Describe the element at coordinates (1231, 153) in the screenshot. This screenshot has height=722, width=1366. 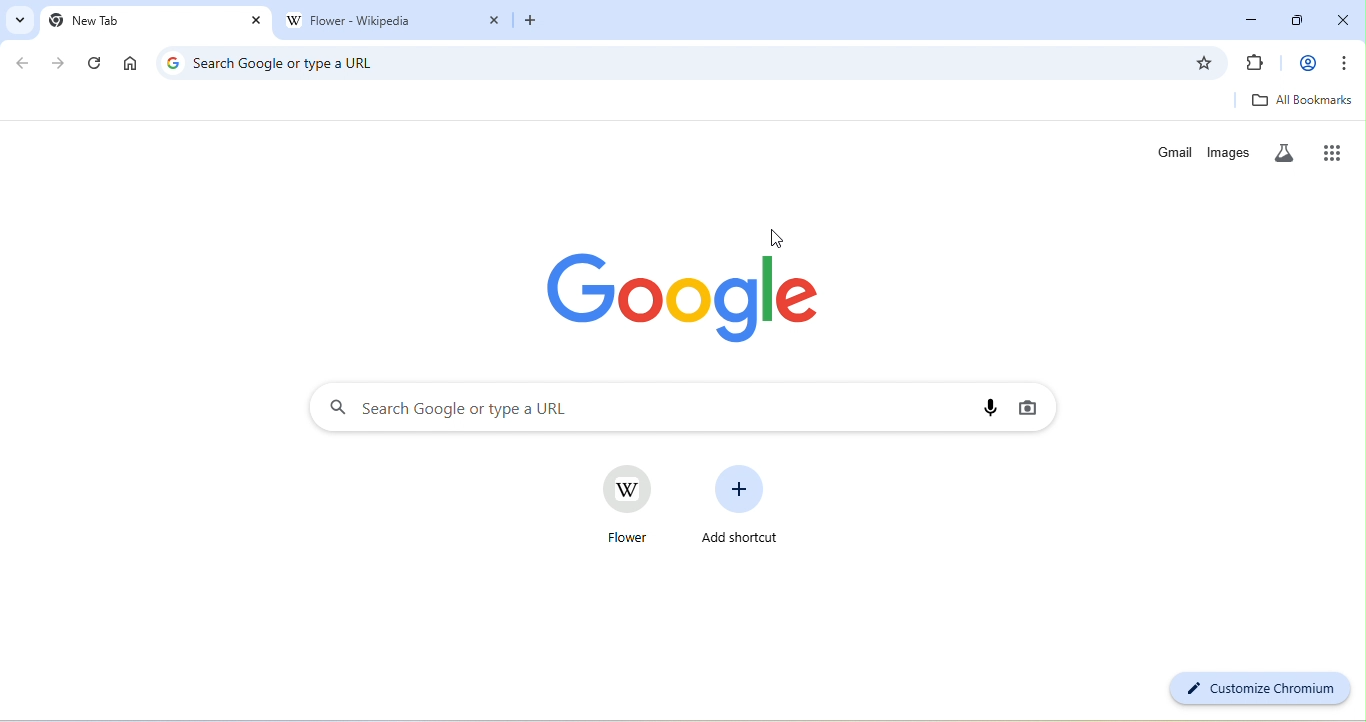
I see `images` at that location.